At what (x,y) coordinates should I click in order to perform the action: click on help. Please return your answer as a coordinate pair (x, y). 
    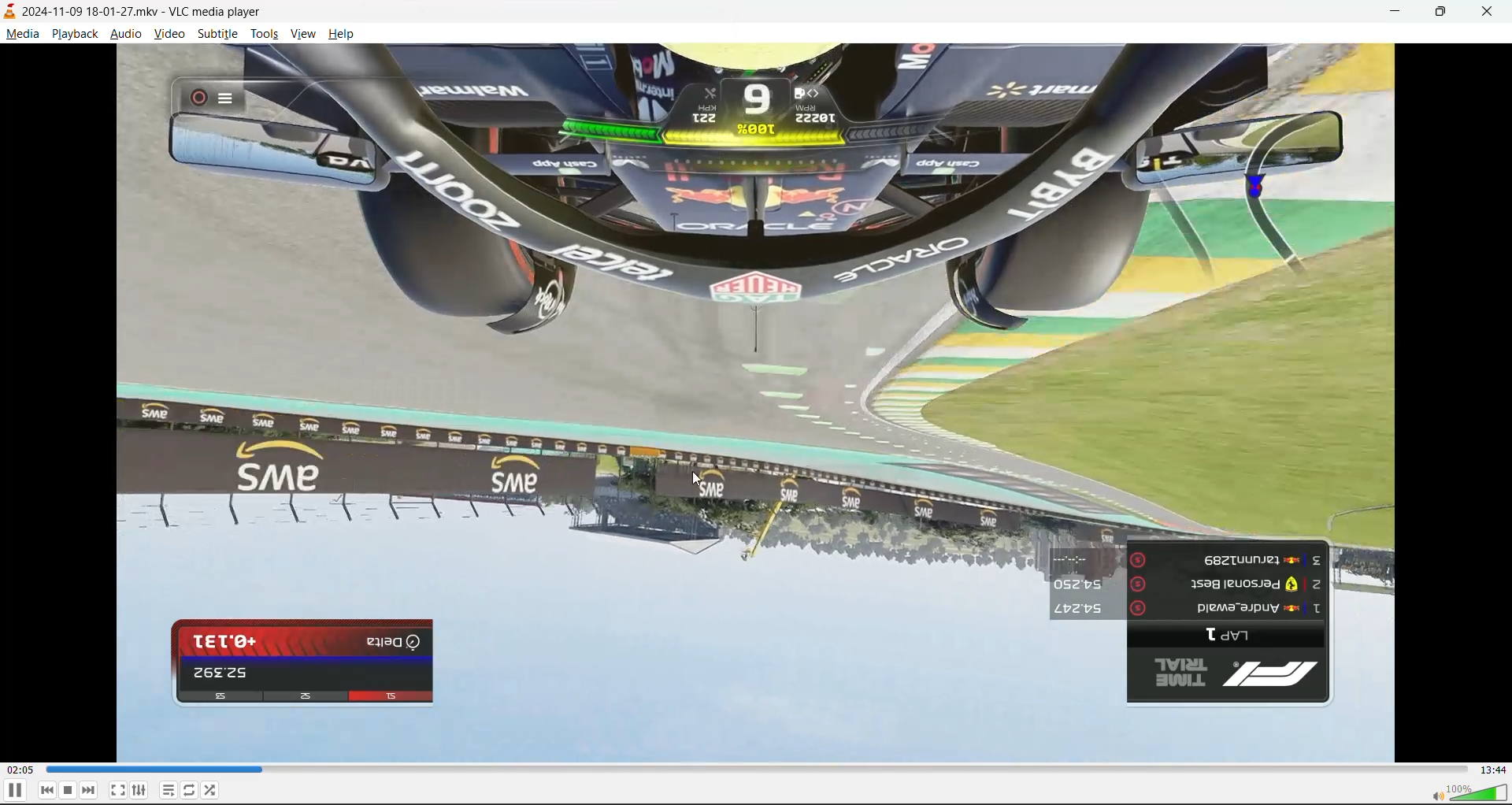
    Looking at the image, I should click on (340, 37).